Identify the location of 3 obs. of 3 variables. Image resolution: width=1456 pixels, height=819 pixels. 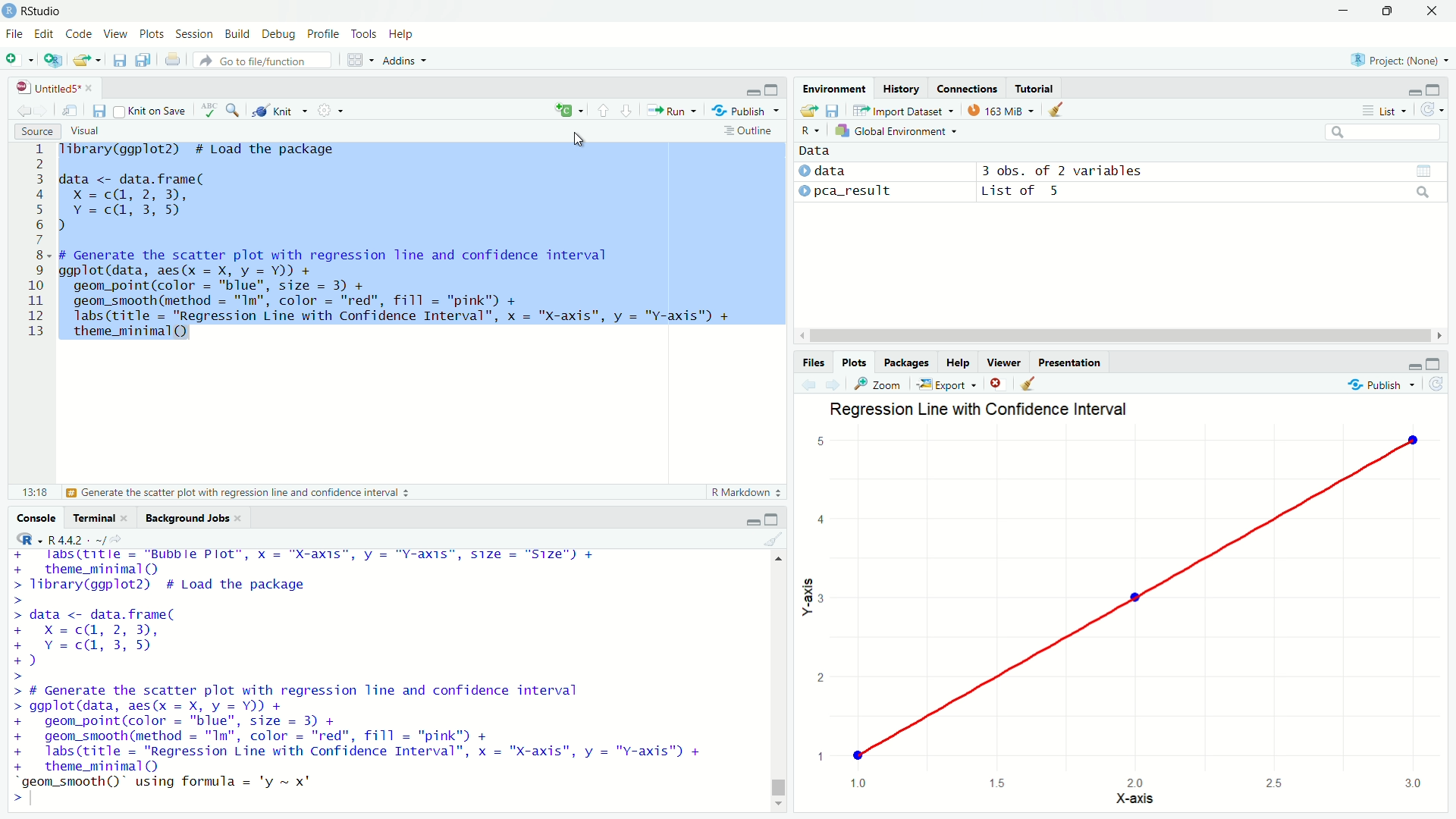
(1062, 171).